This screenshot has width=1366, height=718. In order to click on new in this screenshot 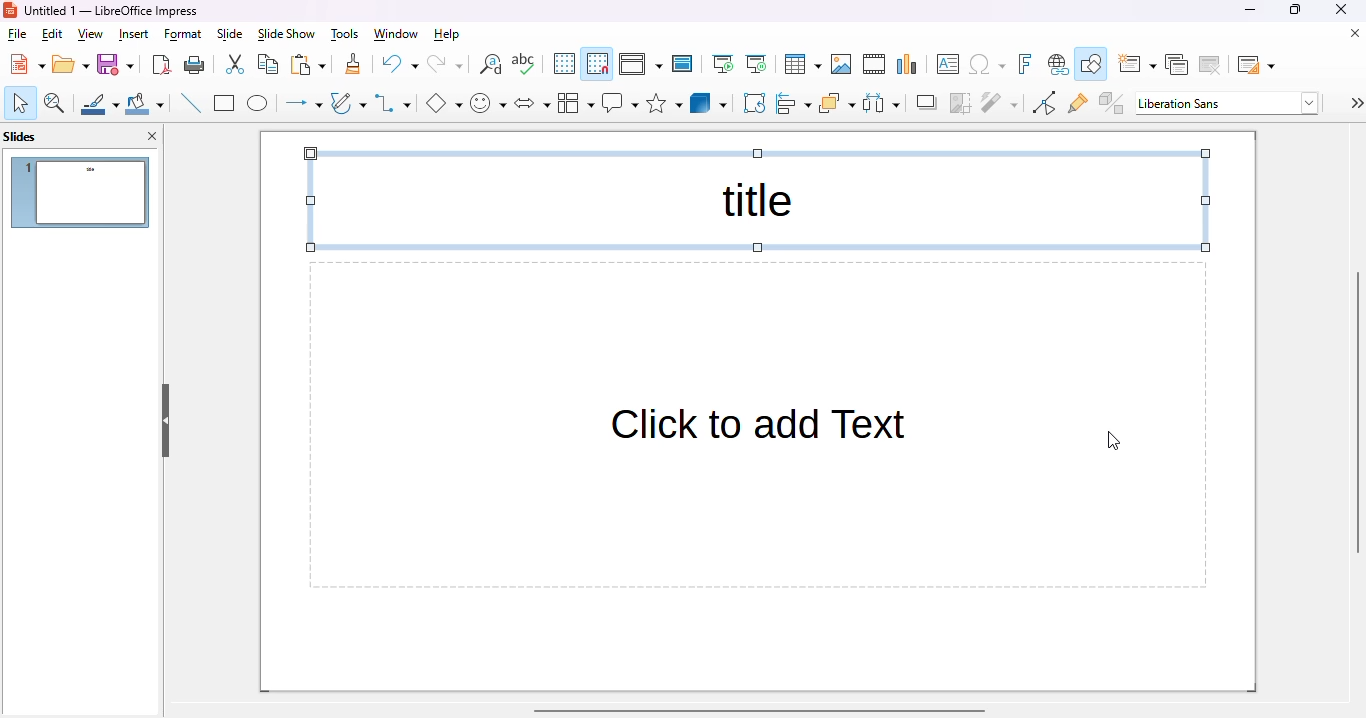, I will do `click(27, 64)`.